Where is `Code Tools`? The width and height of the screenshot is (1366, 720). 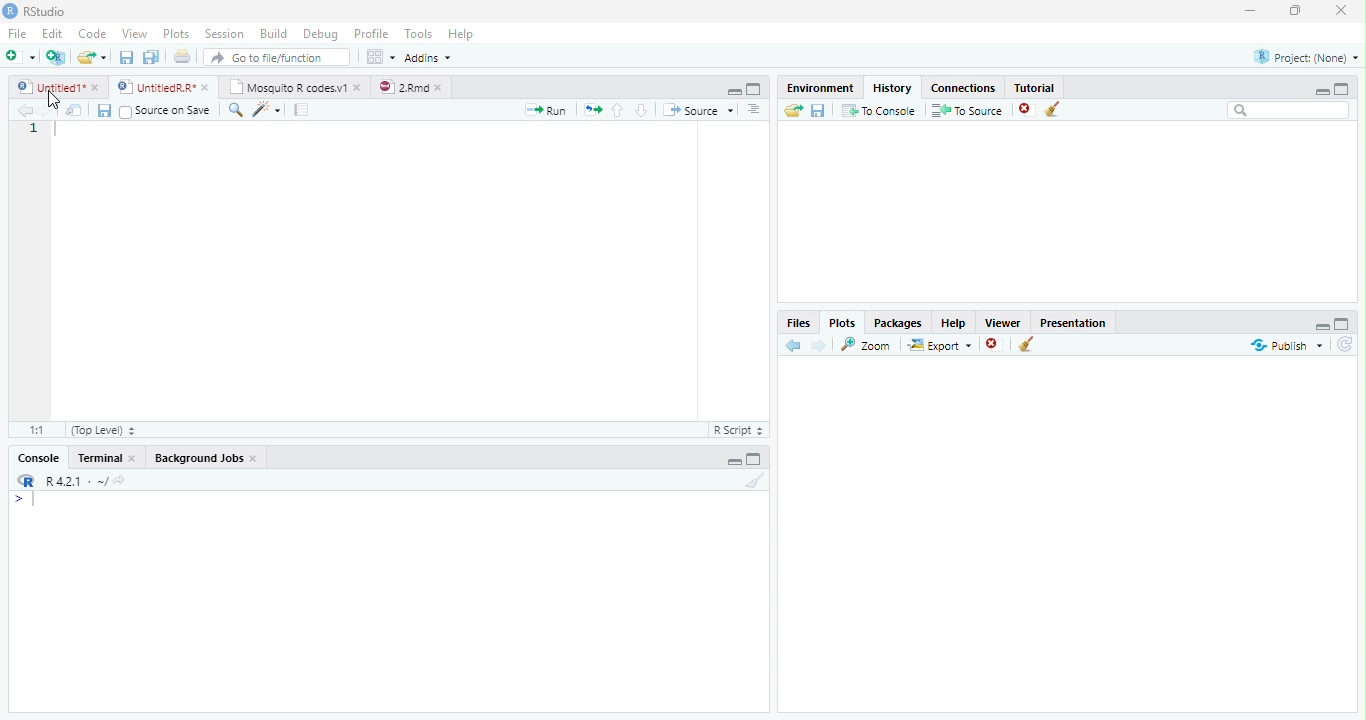 Code Tools is located at coordinates (265, 110).